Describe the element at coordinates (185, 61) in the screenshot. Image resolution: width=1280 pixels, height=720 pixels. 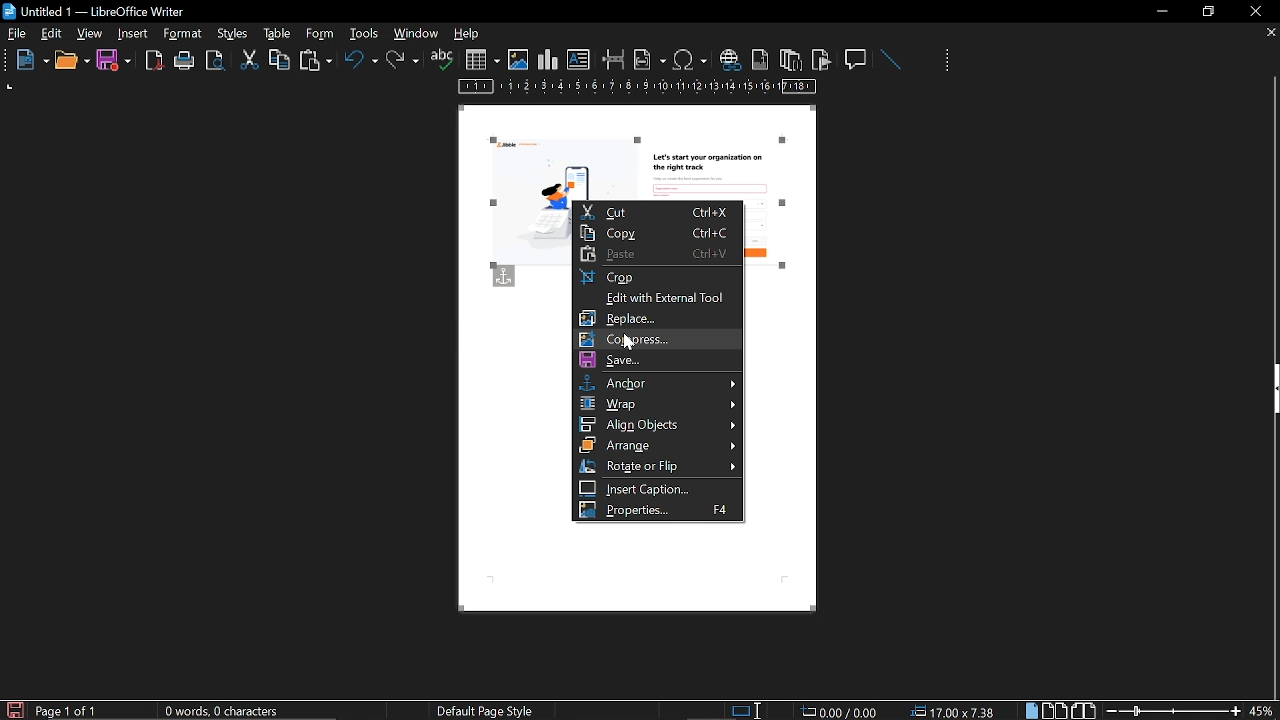
I see `print` at that location.